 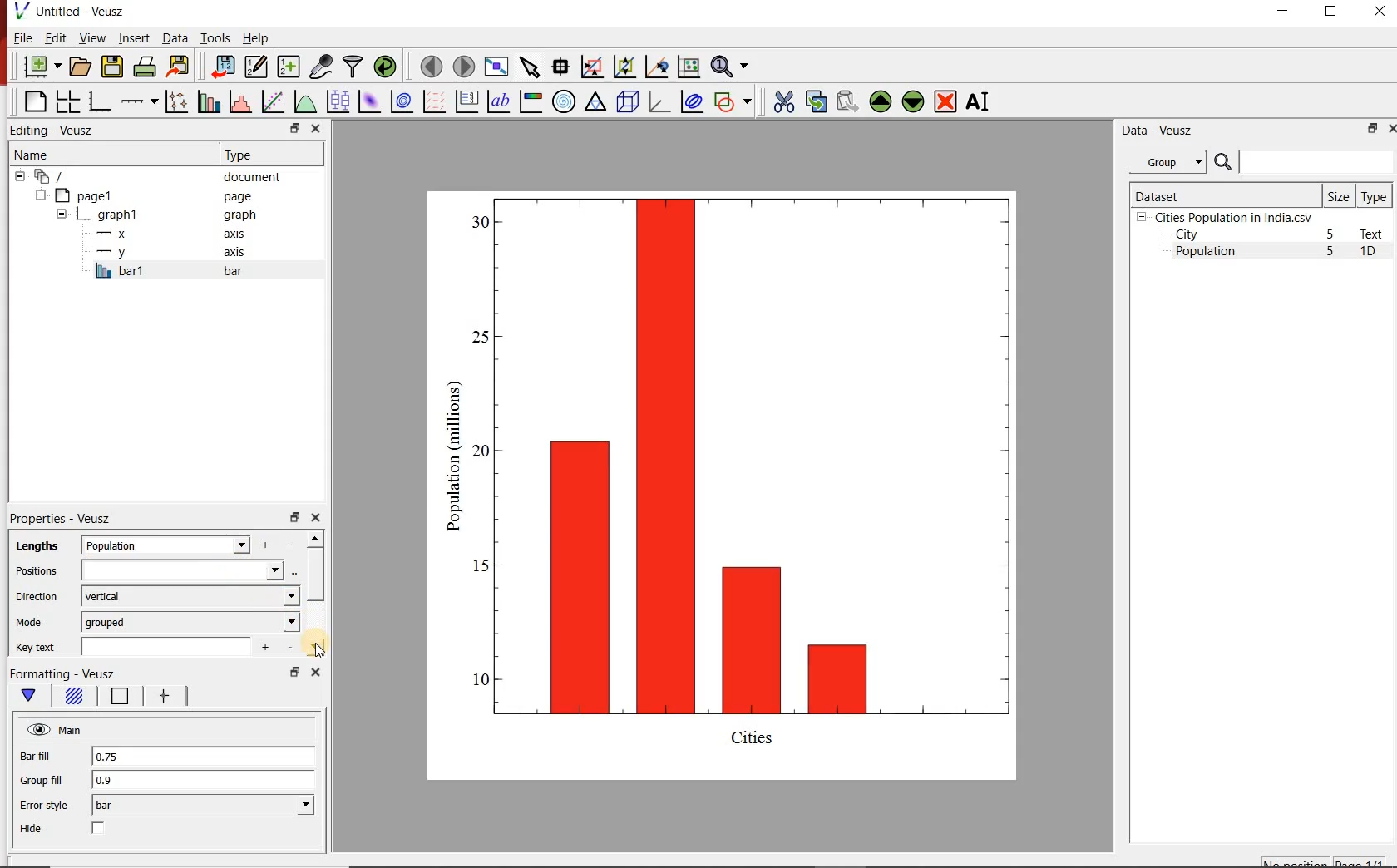 I want to click on close, so click(x=1390, y=128).